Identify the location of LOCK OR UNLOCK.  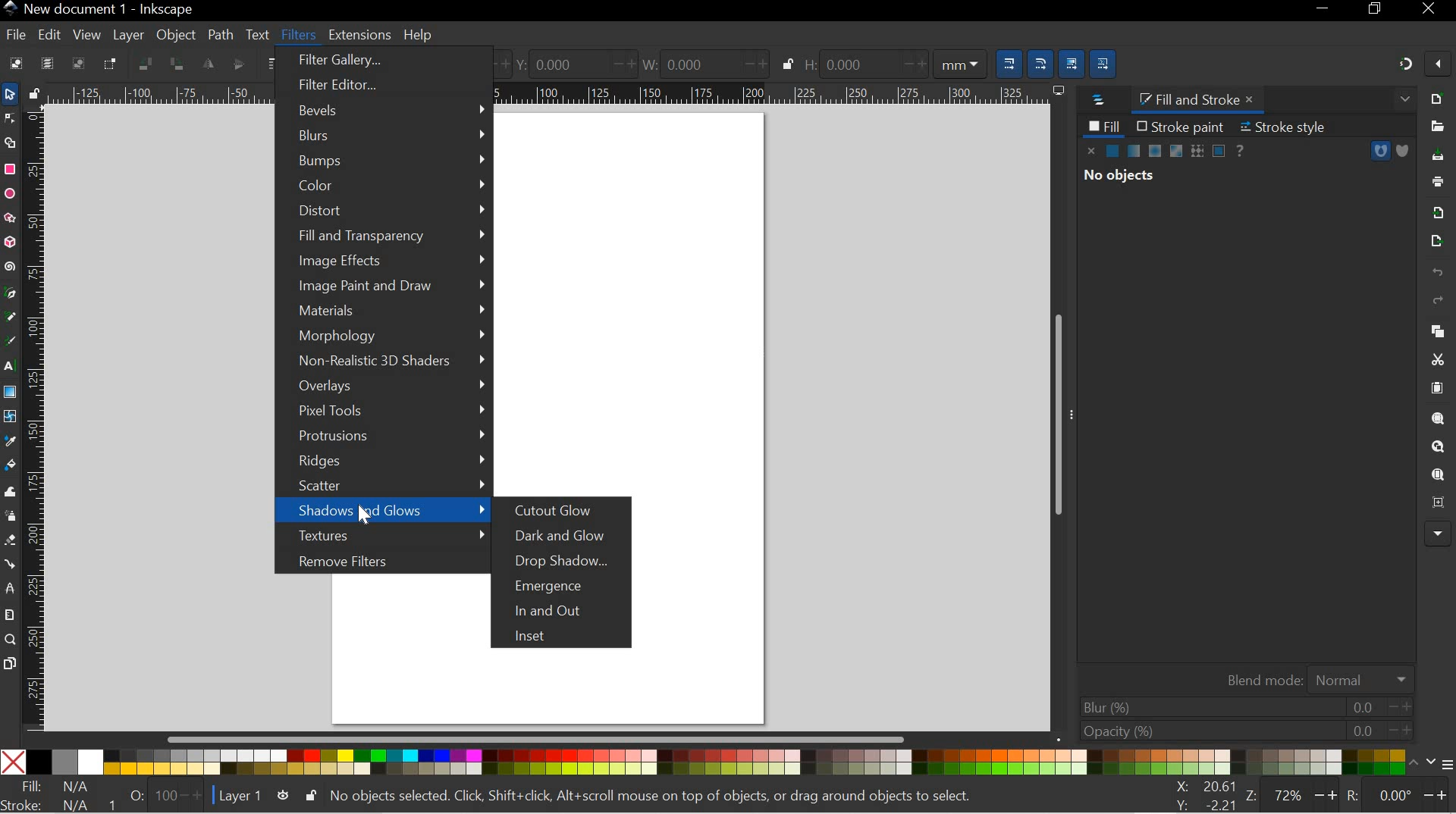
(309, 796).